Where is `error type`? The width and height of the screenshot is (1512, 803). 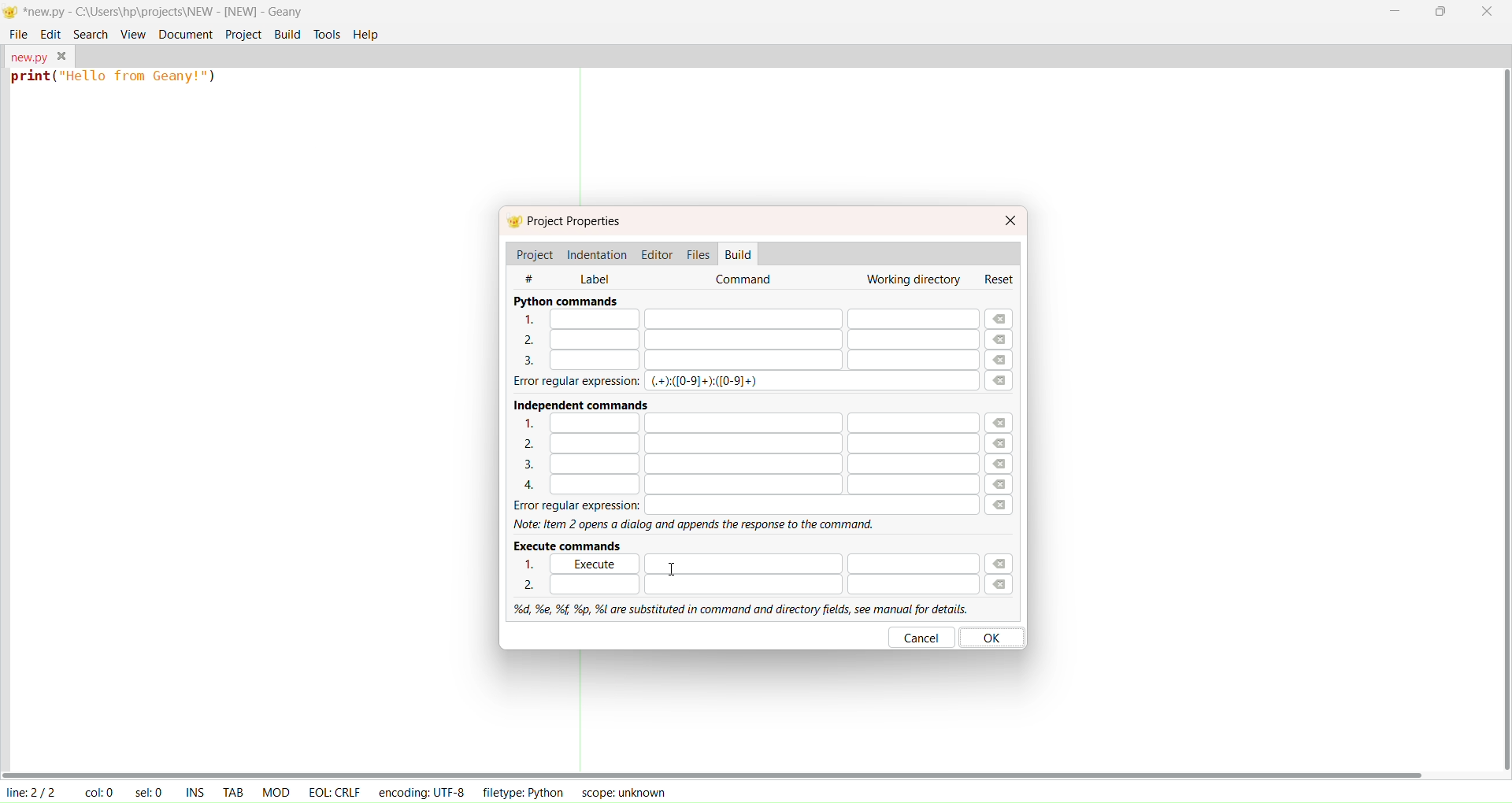 error type is located at coordinates (706, 382).